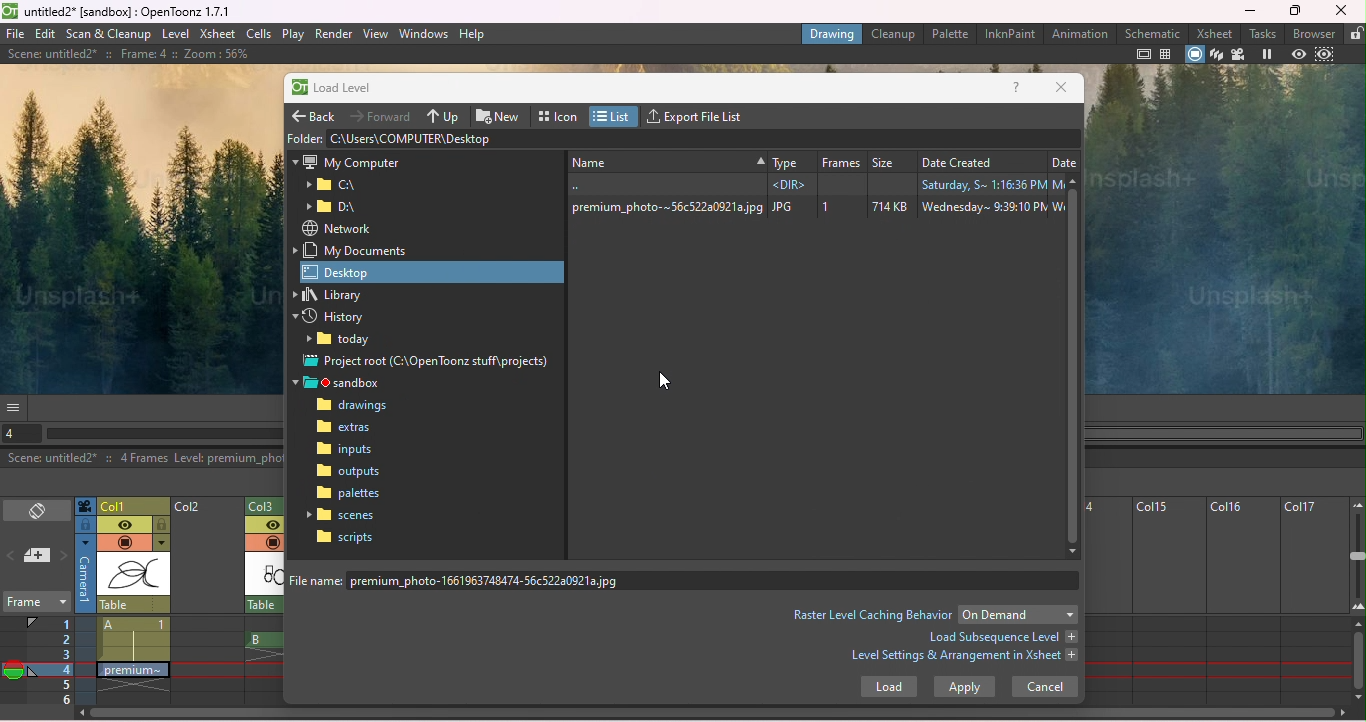 Image resolution: width=1366 pixels, height=722 pixels. Describe the element at coordinates (175, 35) in the screenshot. I see `Level` at that location.